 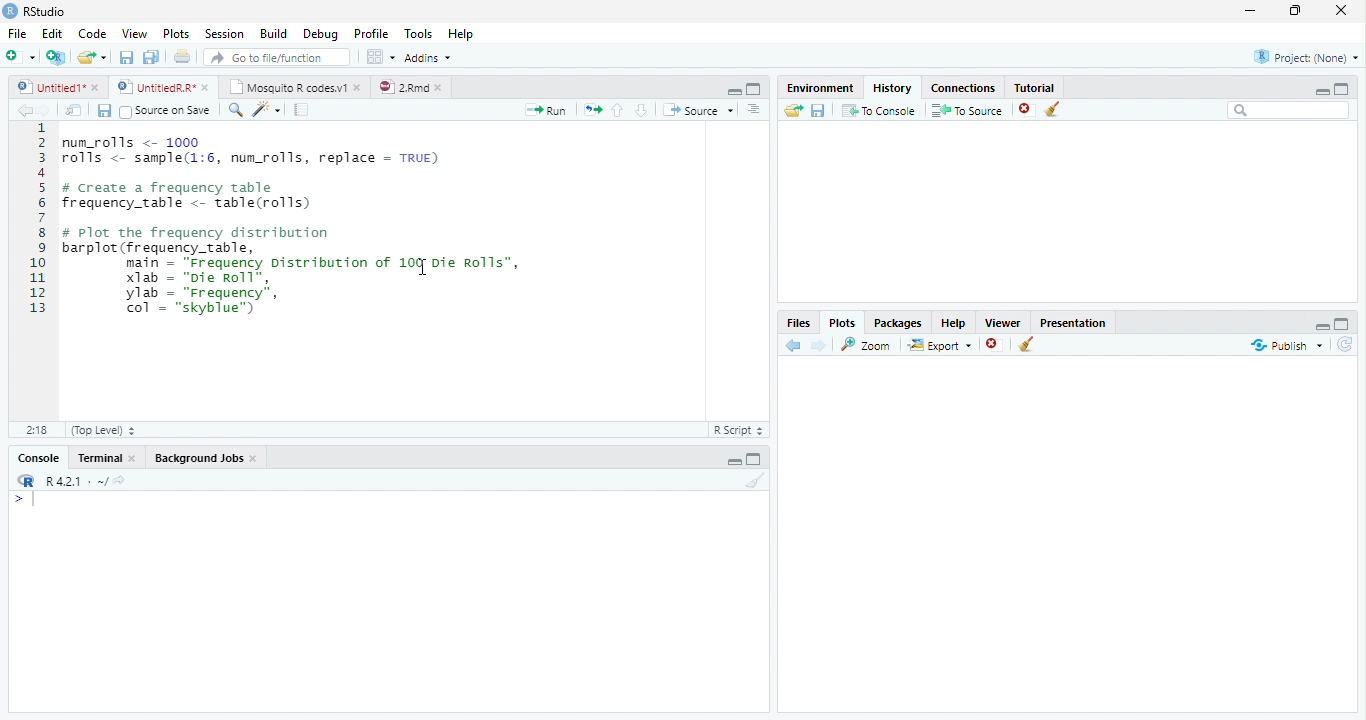 I want to click on New File, so click(x=20, y=56).